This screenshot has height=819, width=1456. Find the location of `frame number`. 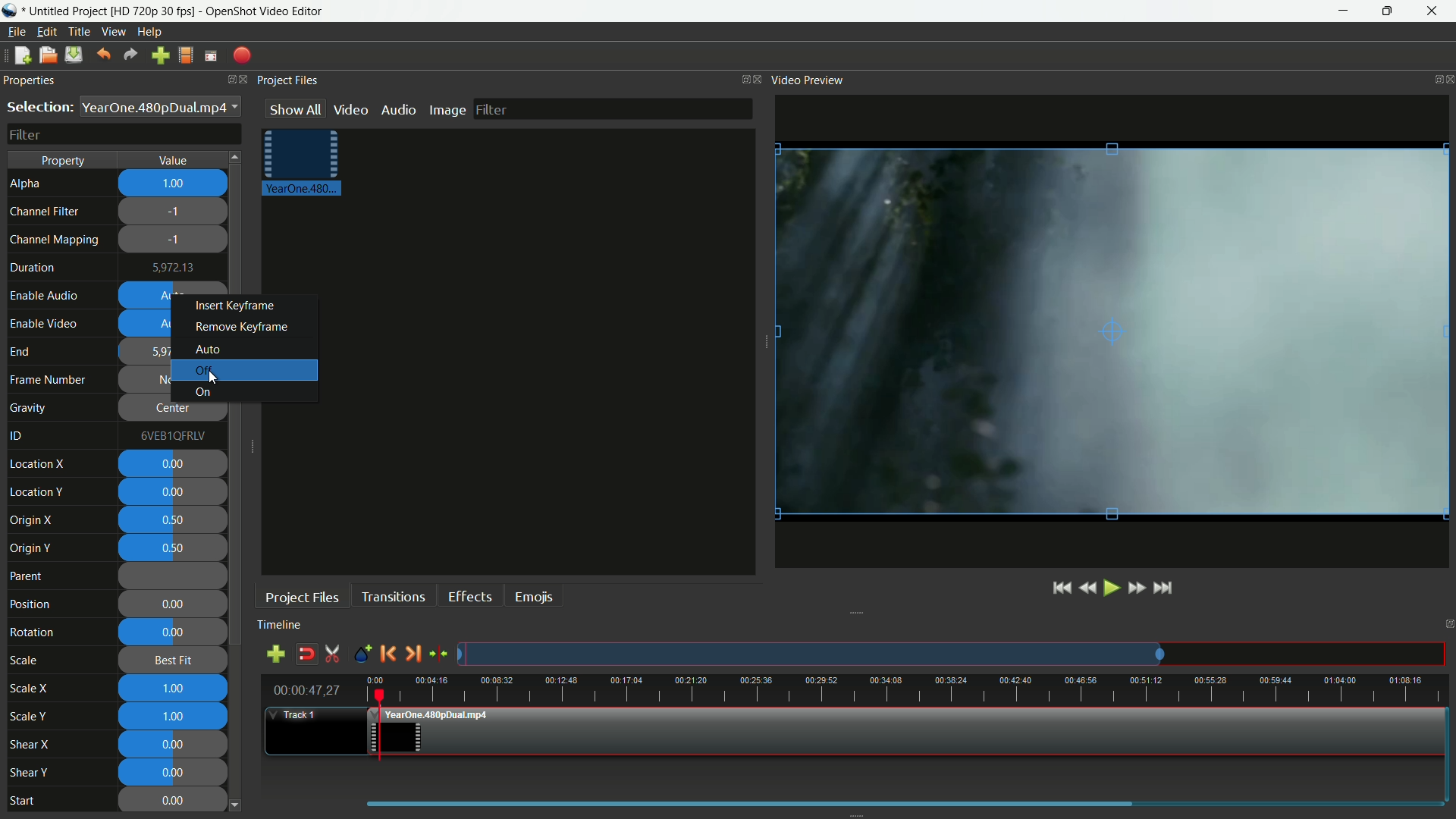

frame number is located at coordinates (49, 380).